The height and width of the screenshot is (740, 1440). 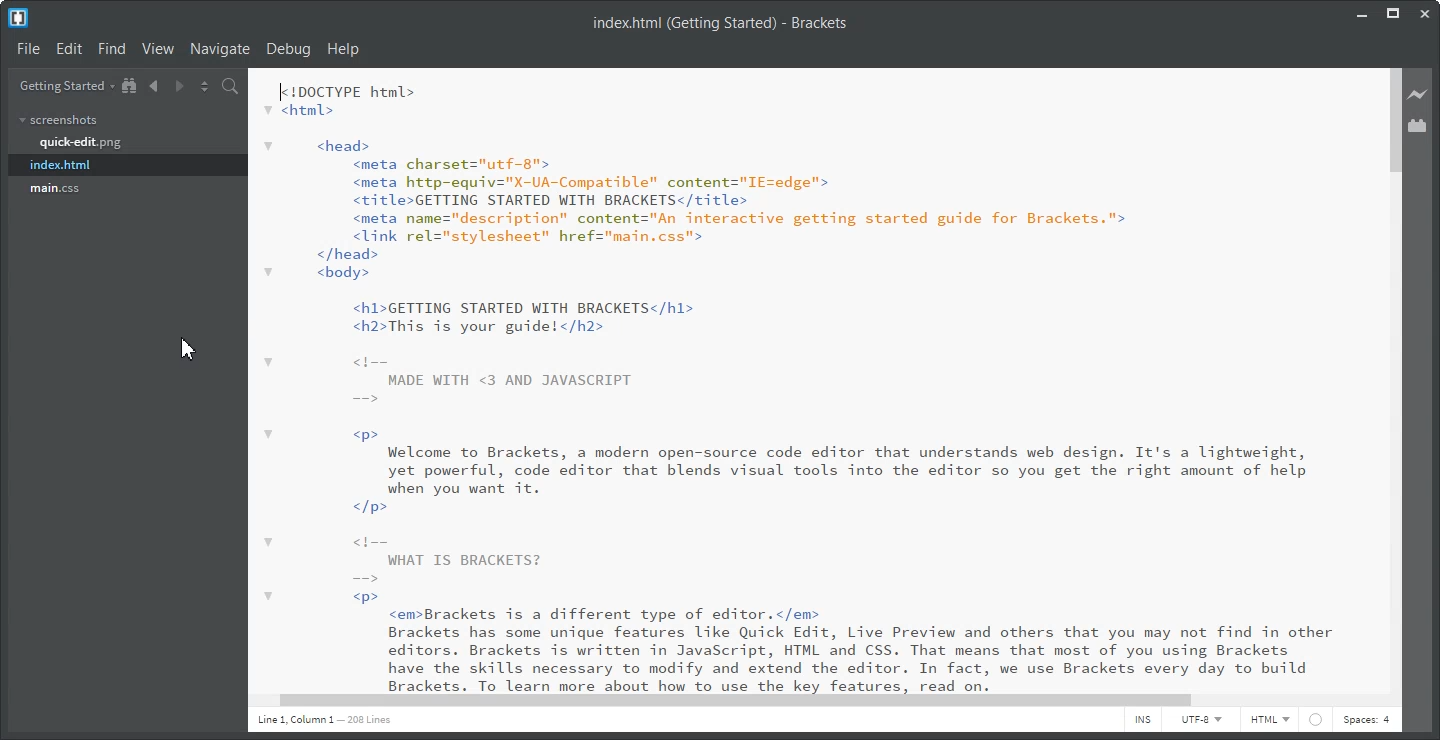 What do you see at coordinates (808, 701) in the screenshot?
I see `Horizontal Scroll Bar` at bounding box center [808, 701].